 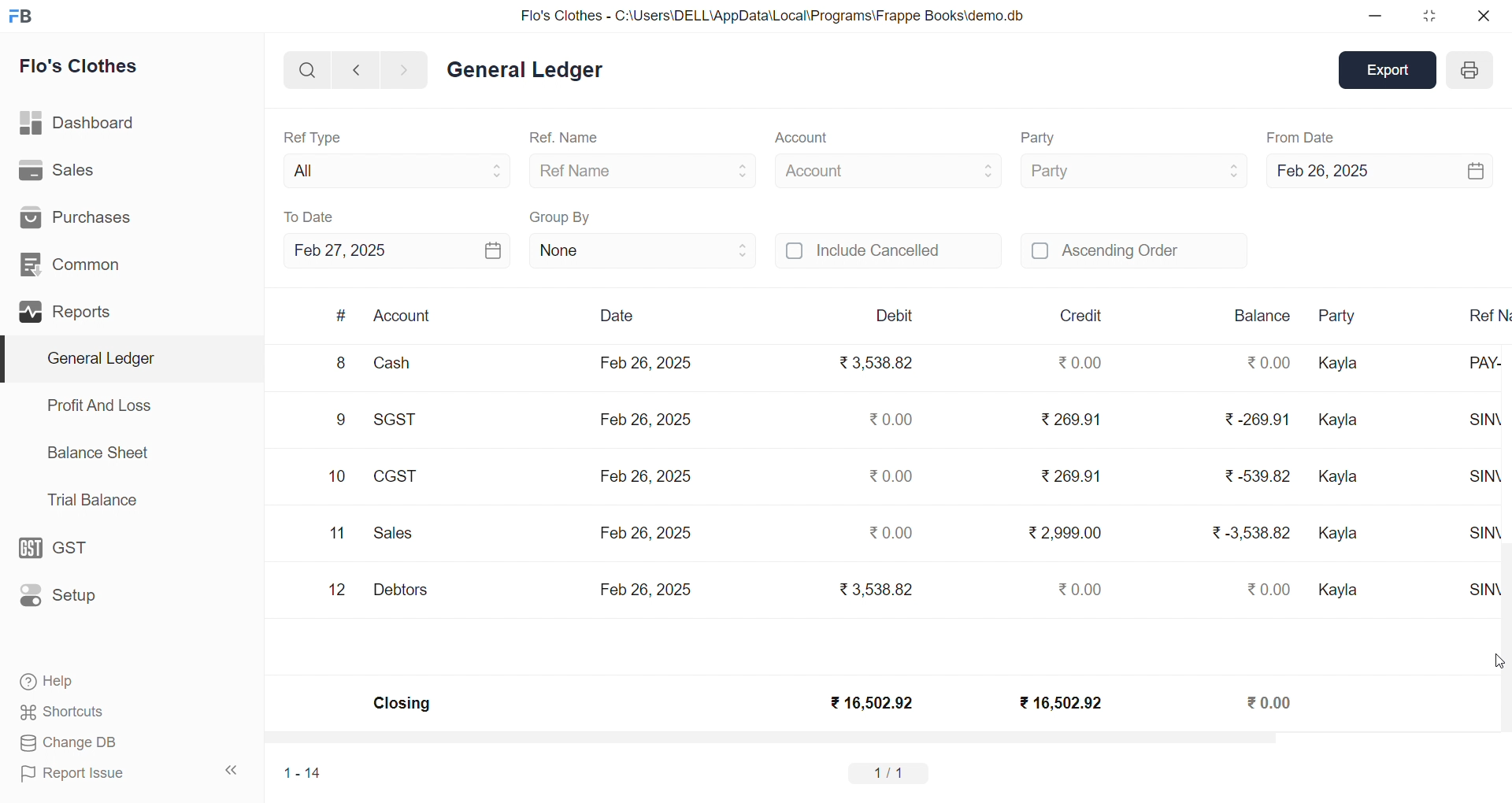 What do you see at coordinates (1378, 168) in the screenshot?
I see `Feb 26, 2025` at bounding box center [1378, 168].